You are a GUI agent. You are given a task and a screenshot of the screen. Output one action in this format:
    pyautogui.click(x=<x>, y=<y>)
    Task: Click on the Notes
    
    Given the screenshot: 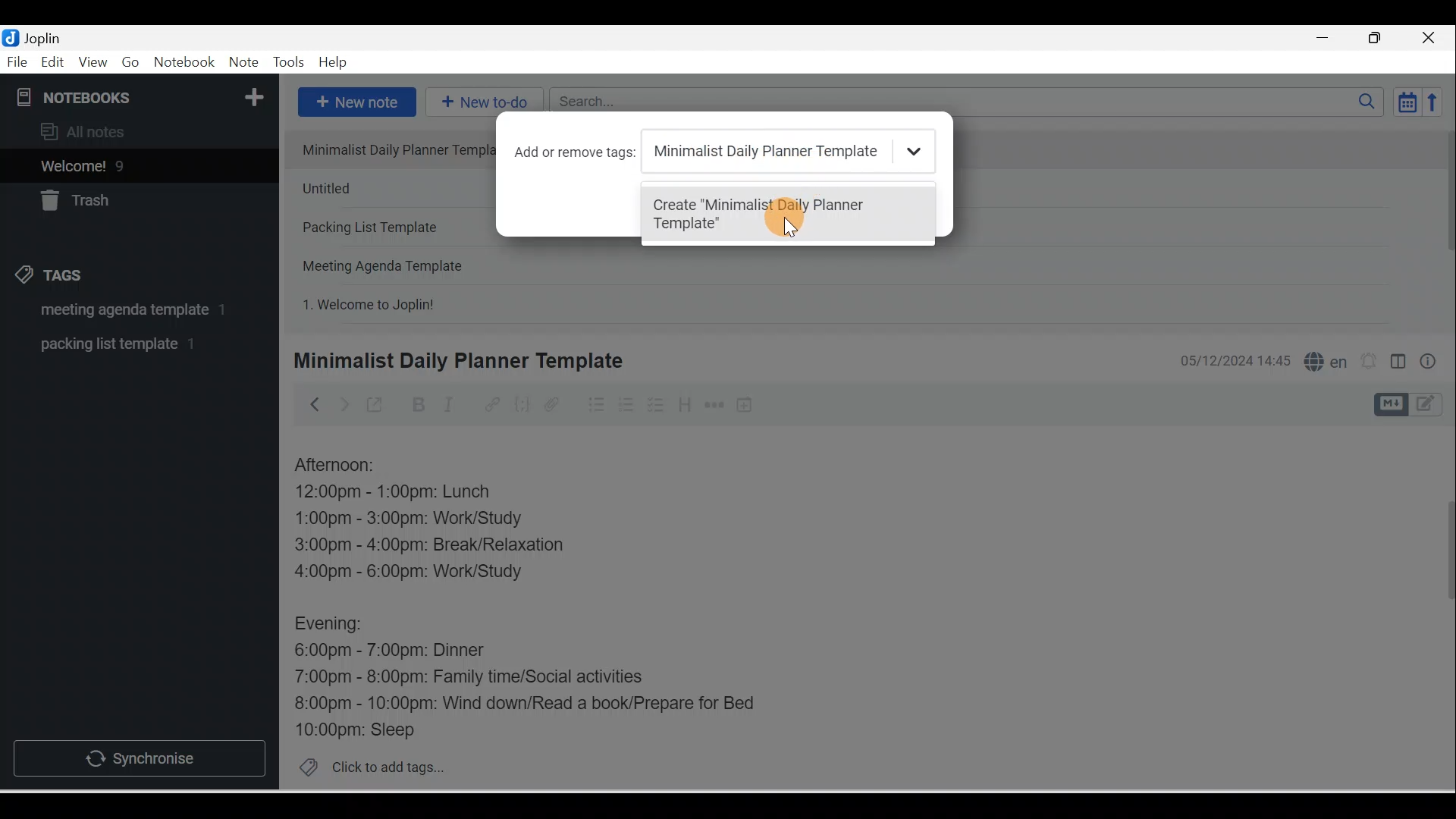 What is the action you would take?
    pyautogui.click(x=128, y=162)
    